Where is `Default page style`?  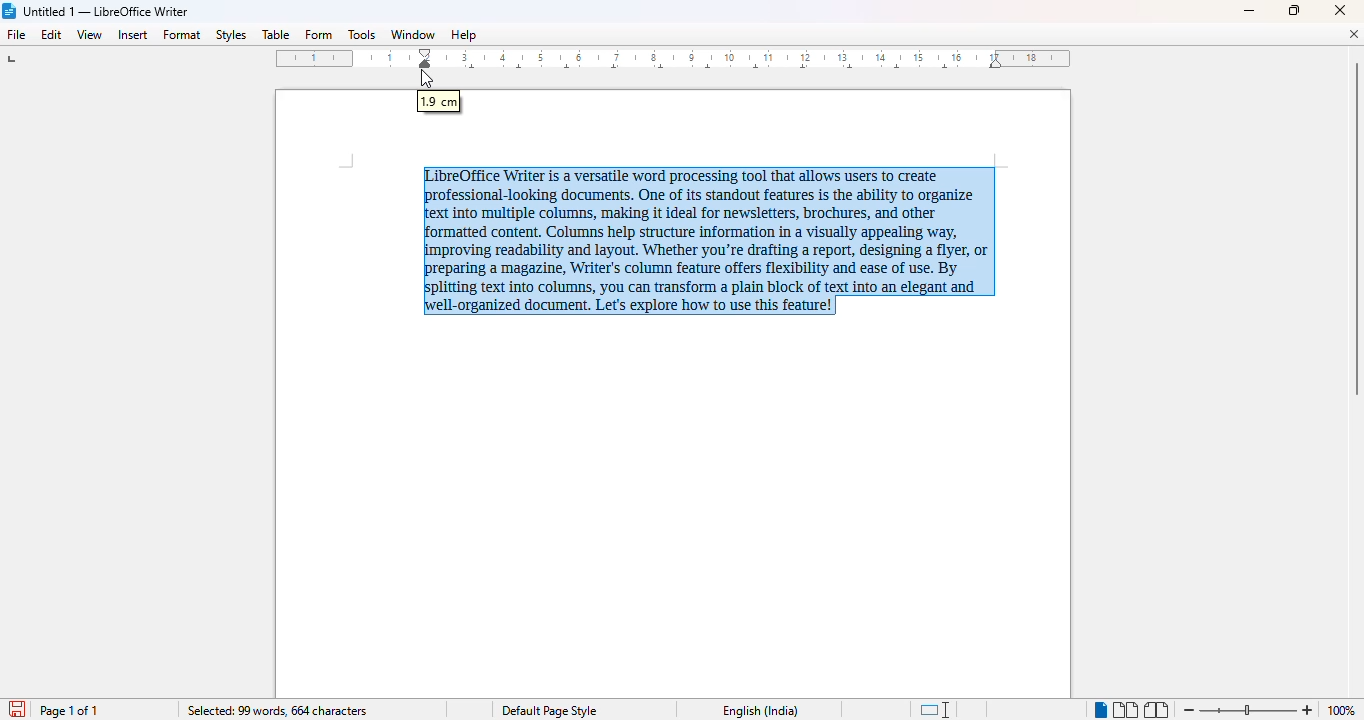
Default page style is located at coordinates (553, 710).